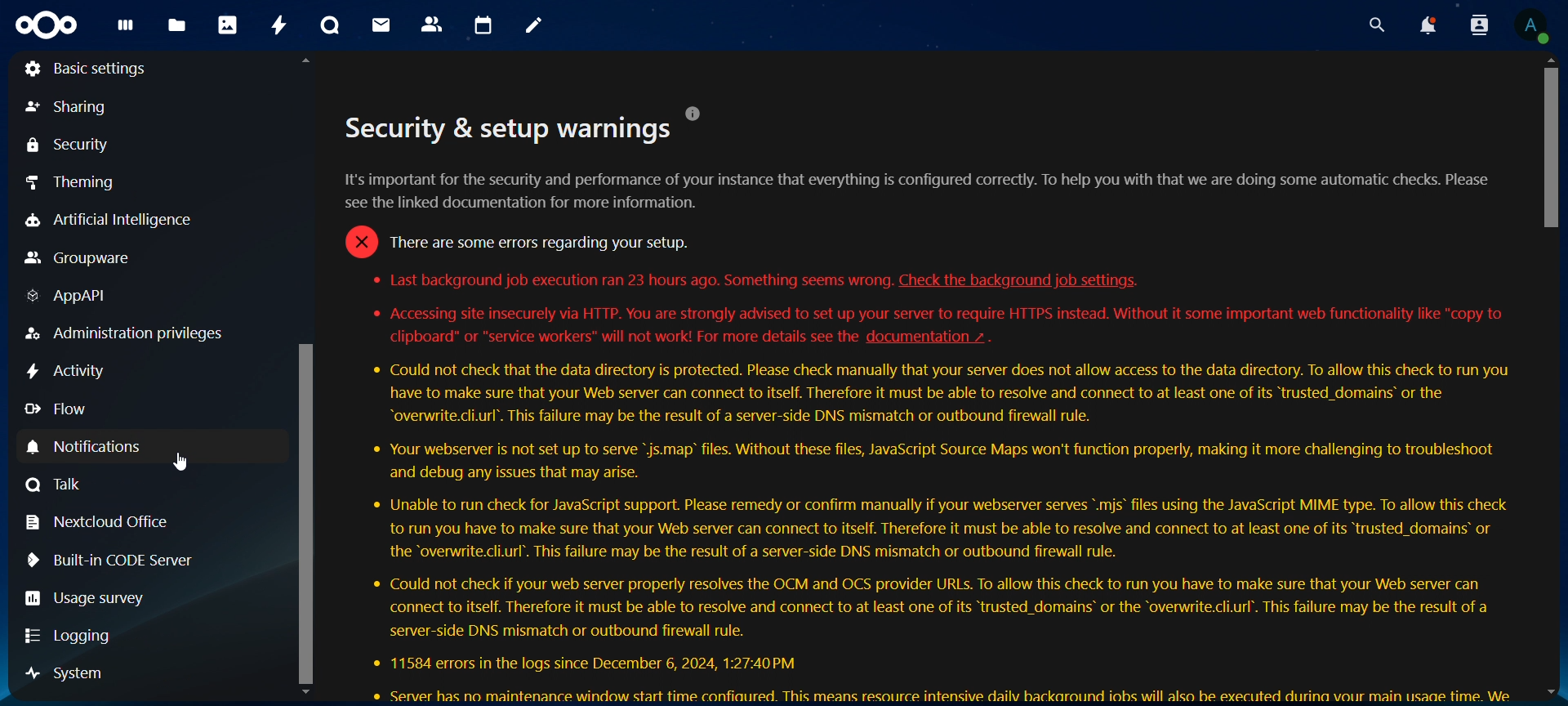 This screenshot has width=1568, height=706. Describe the element at coordinates (227, 25) in the screenshot. I see `photos` at that location.